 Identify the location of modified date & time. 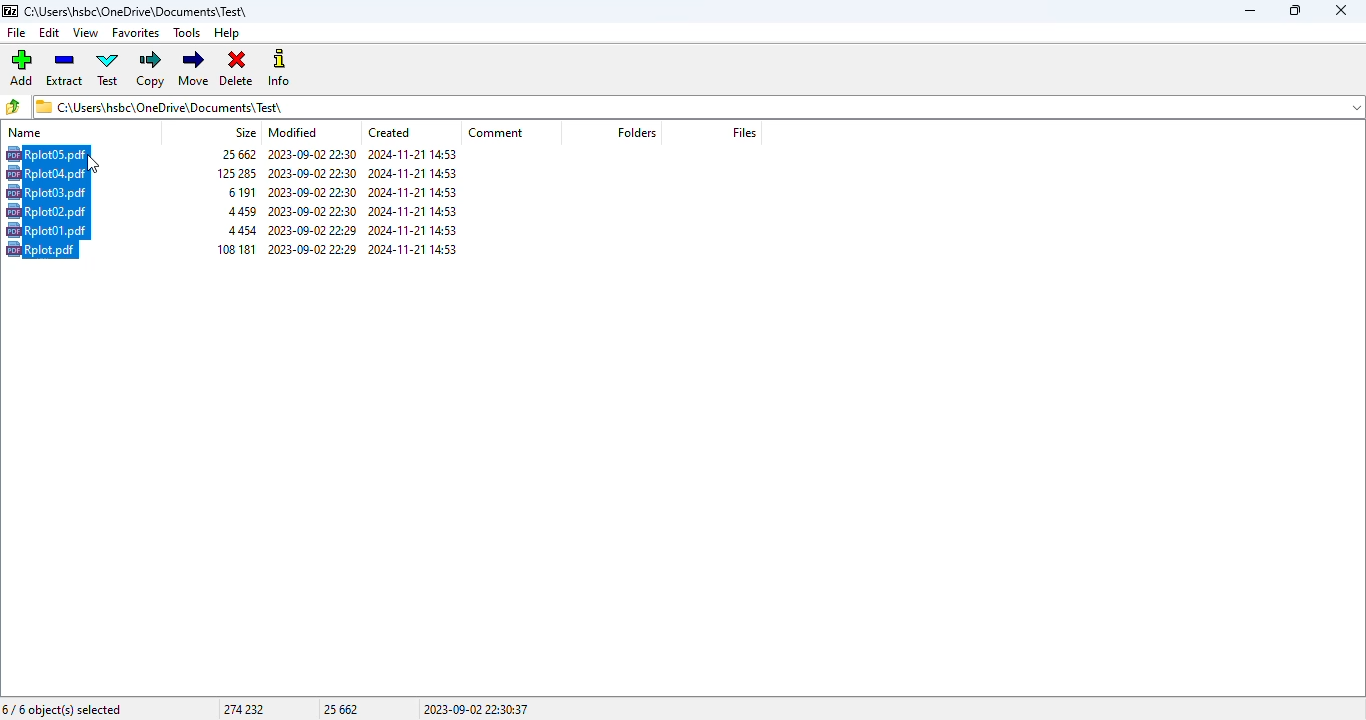
(312, 192).